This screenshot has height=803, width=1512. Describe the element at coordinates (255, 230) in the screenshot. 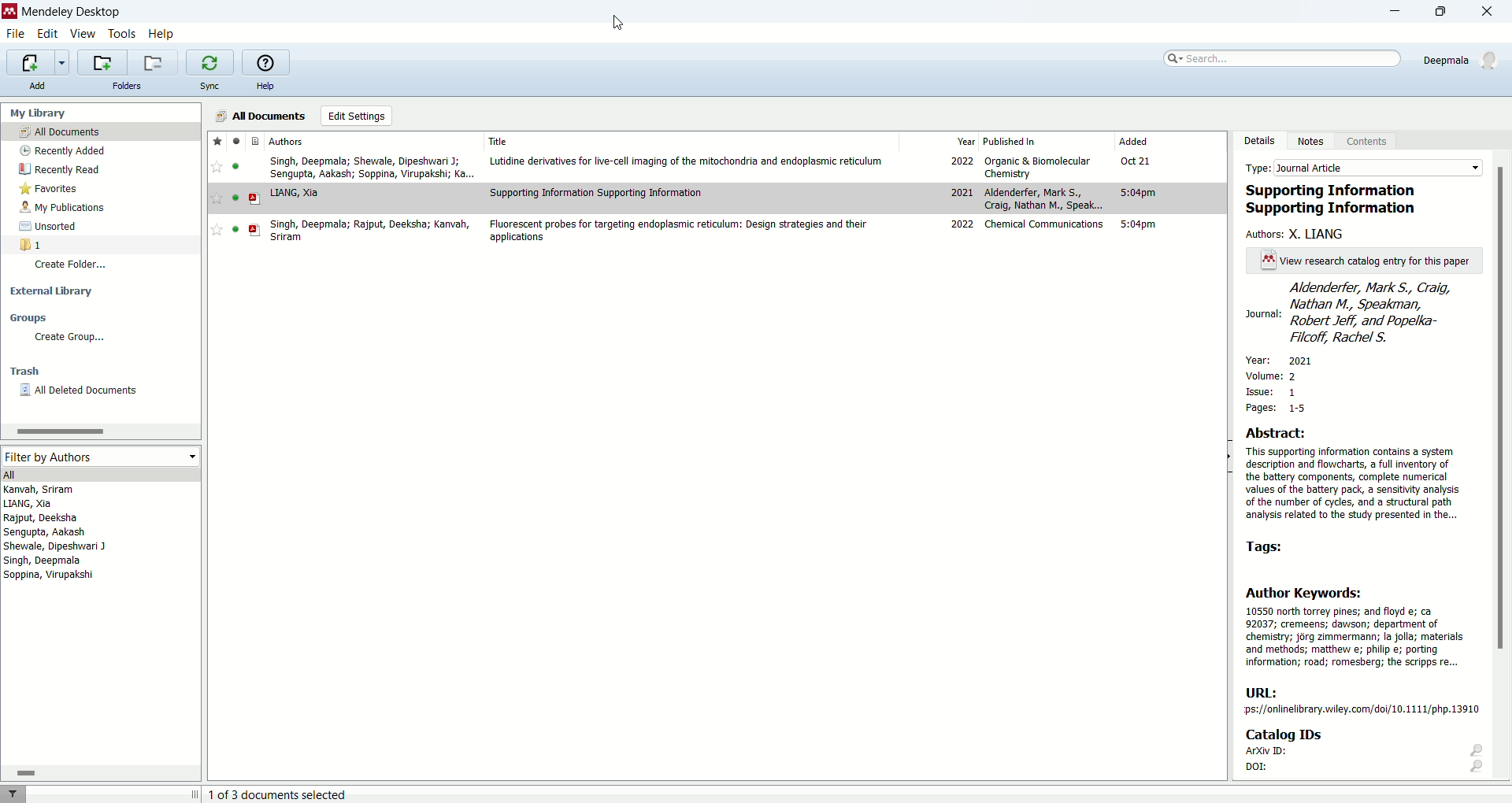

I see `PDF` at that location.